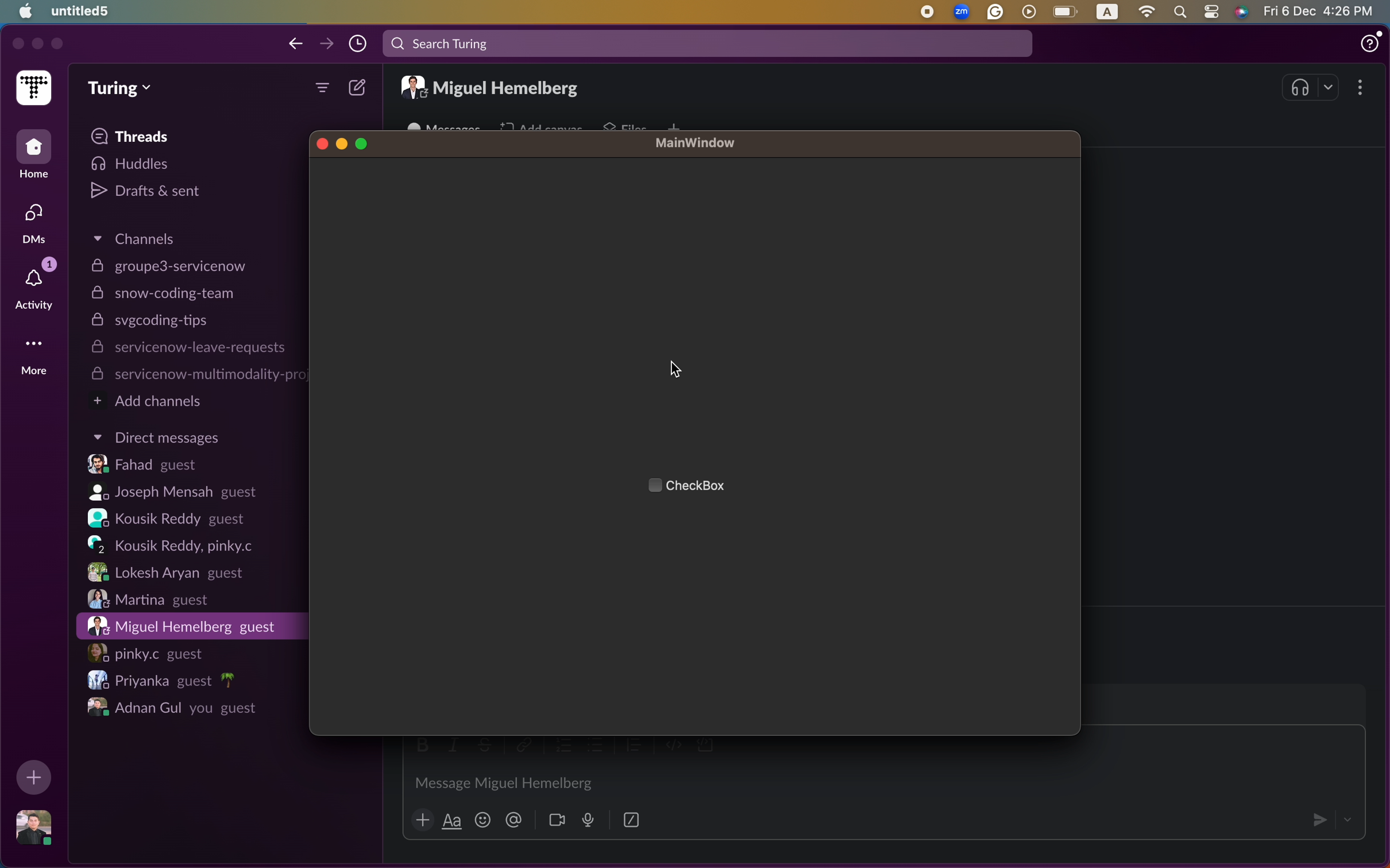  I want to click on turing logo, so click(33, 90).